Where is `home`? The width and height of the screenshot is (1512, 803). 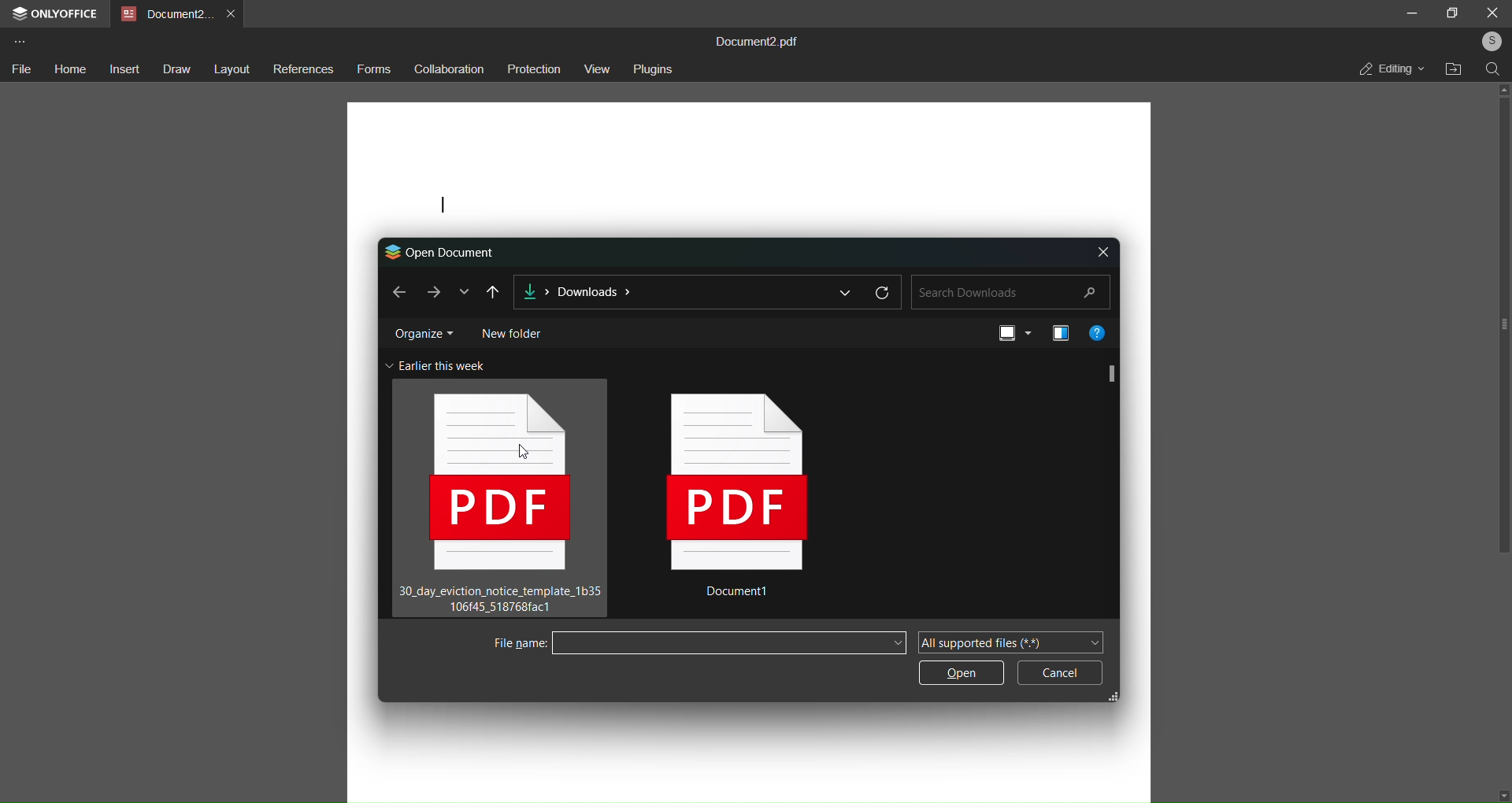
home is located at coordinates (68, 67).